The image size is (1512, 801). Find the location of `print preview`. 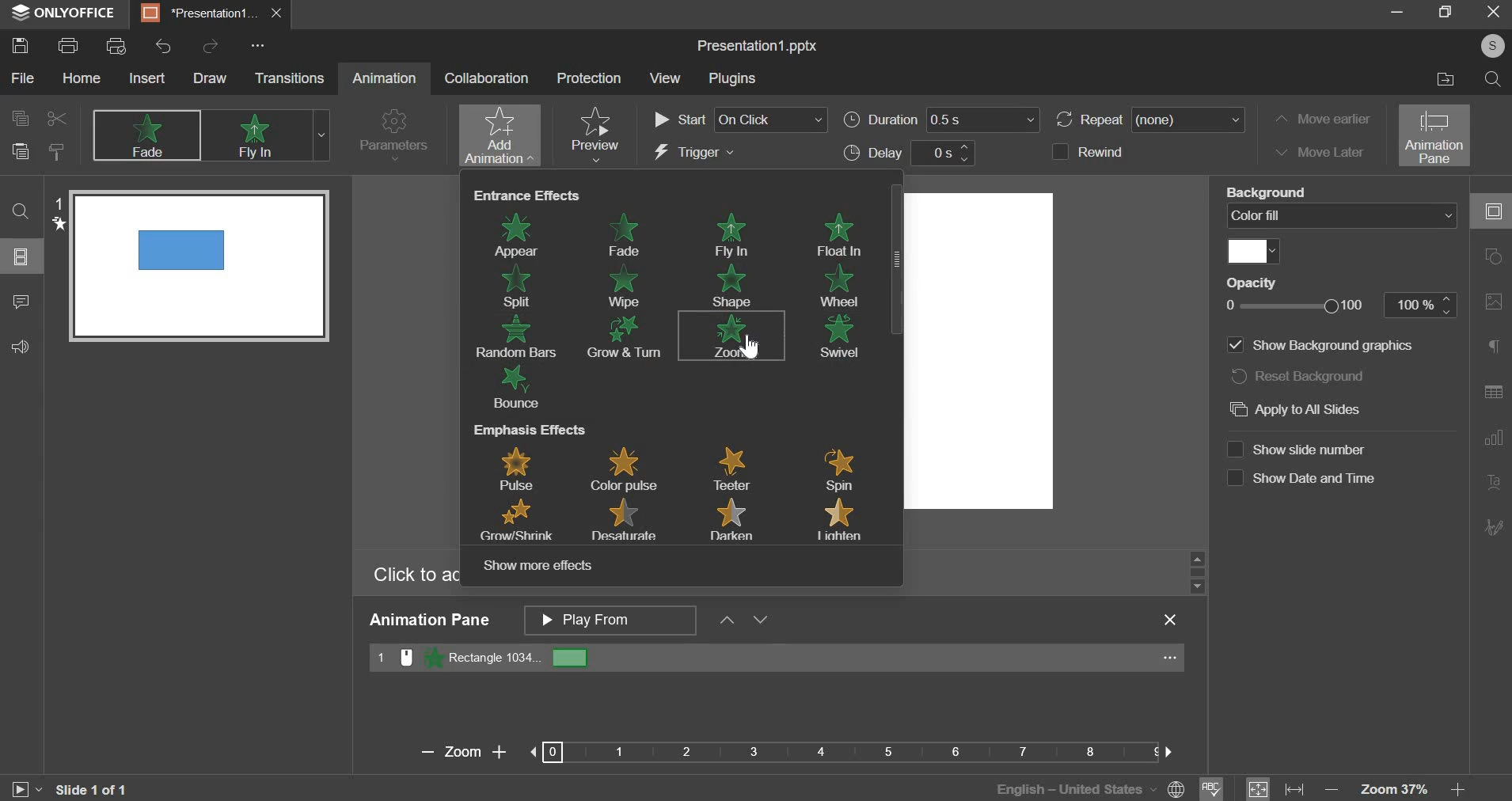

print preview is located at coordinates (117, 46).